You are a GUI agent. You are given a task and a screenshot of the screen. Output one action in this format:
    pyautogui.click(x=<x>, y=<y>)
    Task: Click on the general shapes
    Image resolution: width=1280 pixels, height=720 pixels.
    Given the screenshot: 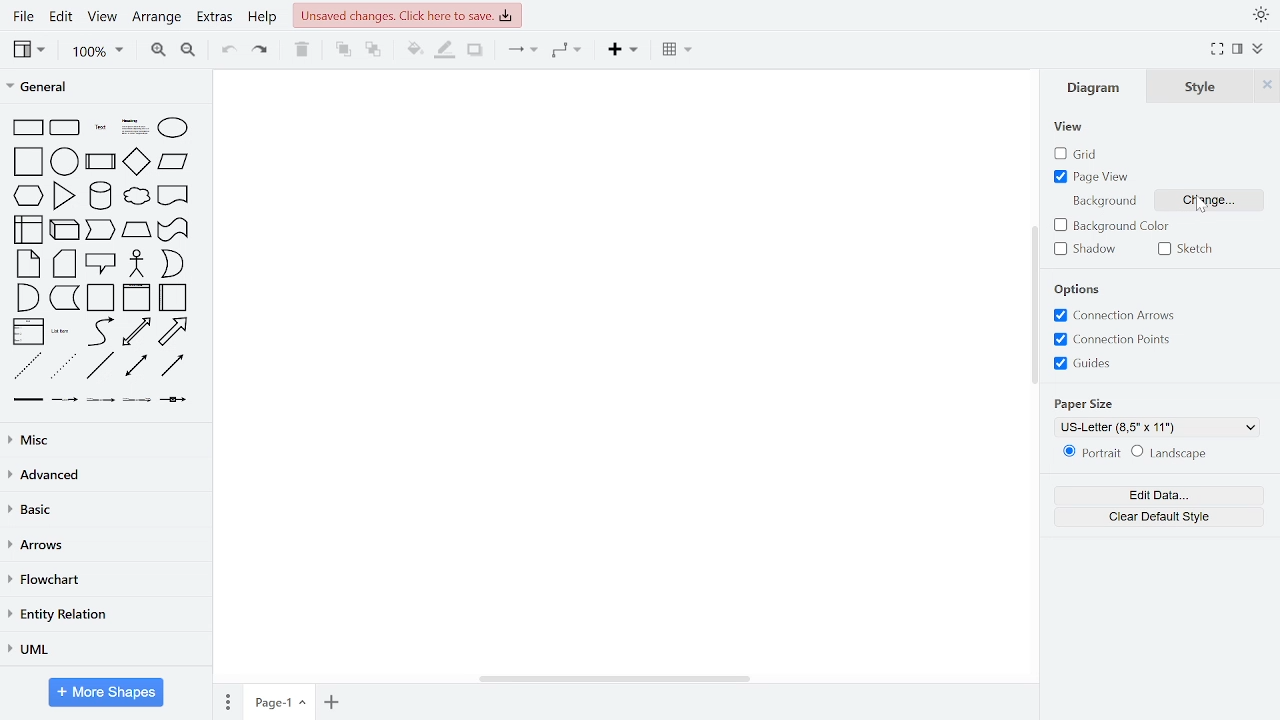 What is the action you would take?
    pyautogui.click(x=172, y=194)
    